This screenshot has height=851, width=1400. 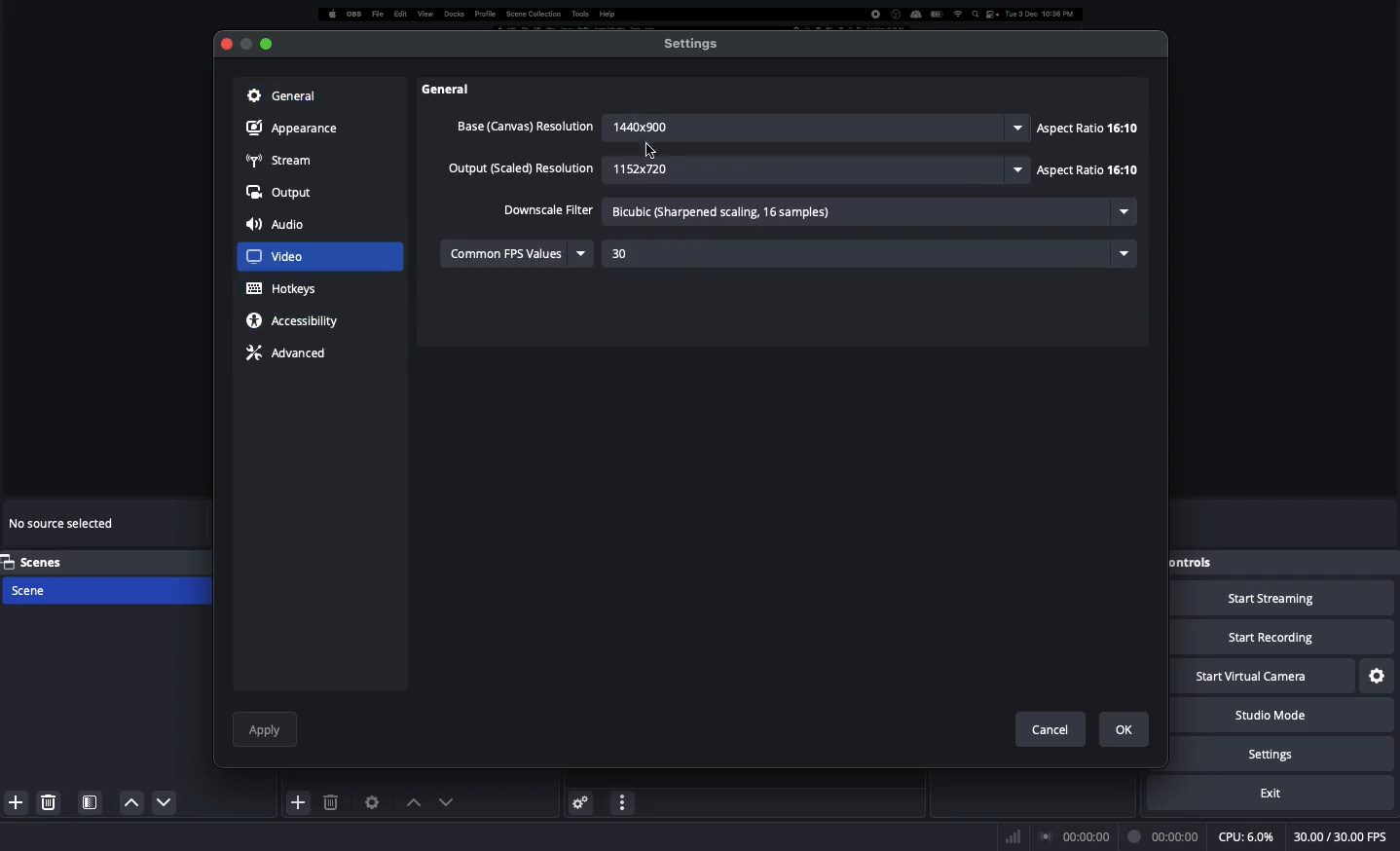 I want to click on Hotkeys, so click(x=283, y=289).